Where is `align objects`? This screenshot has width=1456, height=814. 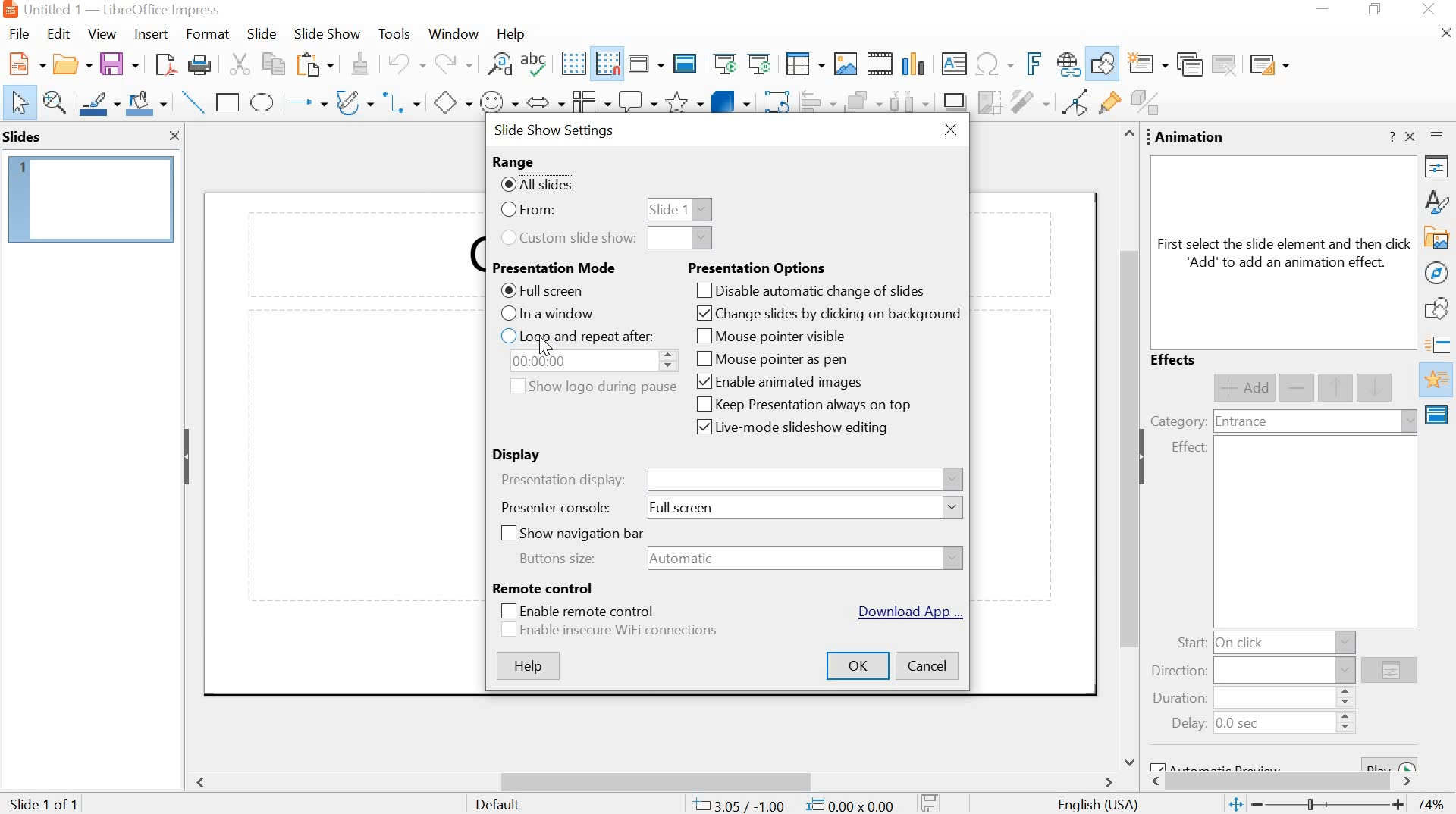 align objects is located at coordinates (817, 104).